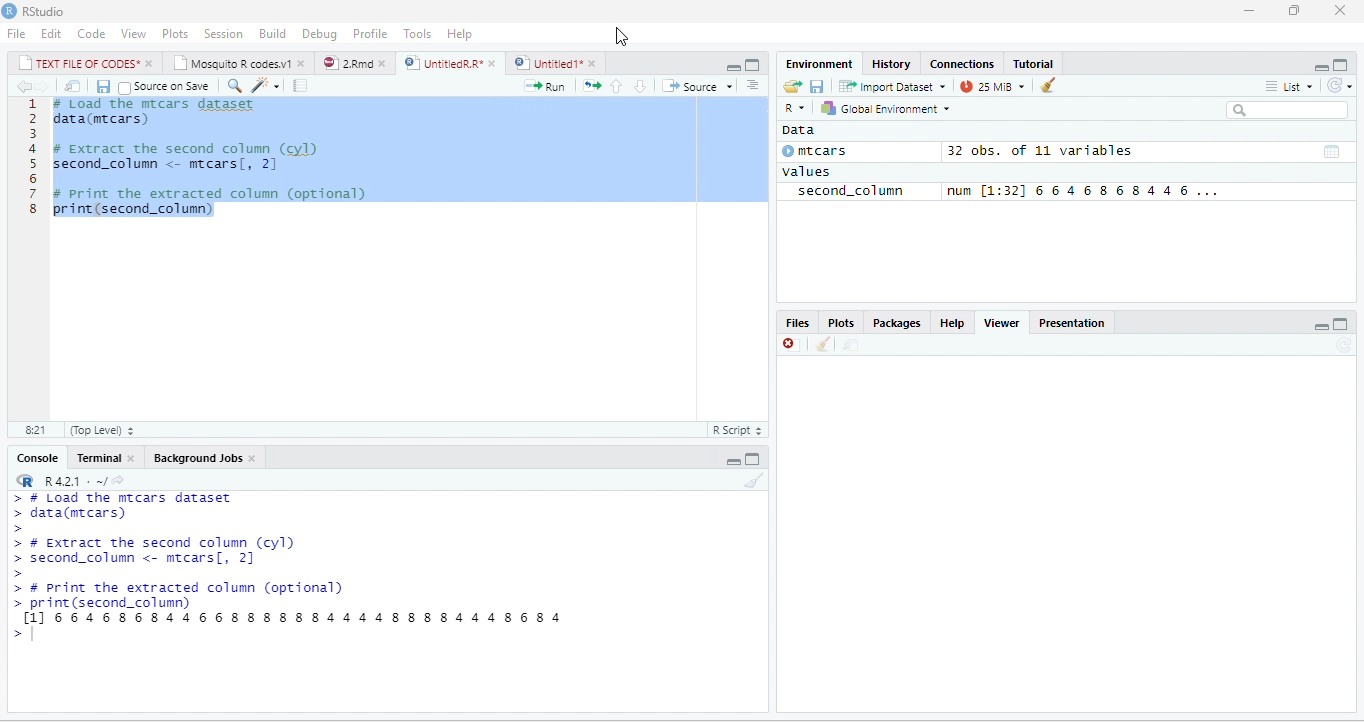 The width and height of the screenshot is (1364, 722). Describe the element at coordinates (735, 64) in the screenshot. I see `maximize` at that location.